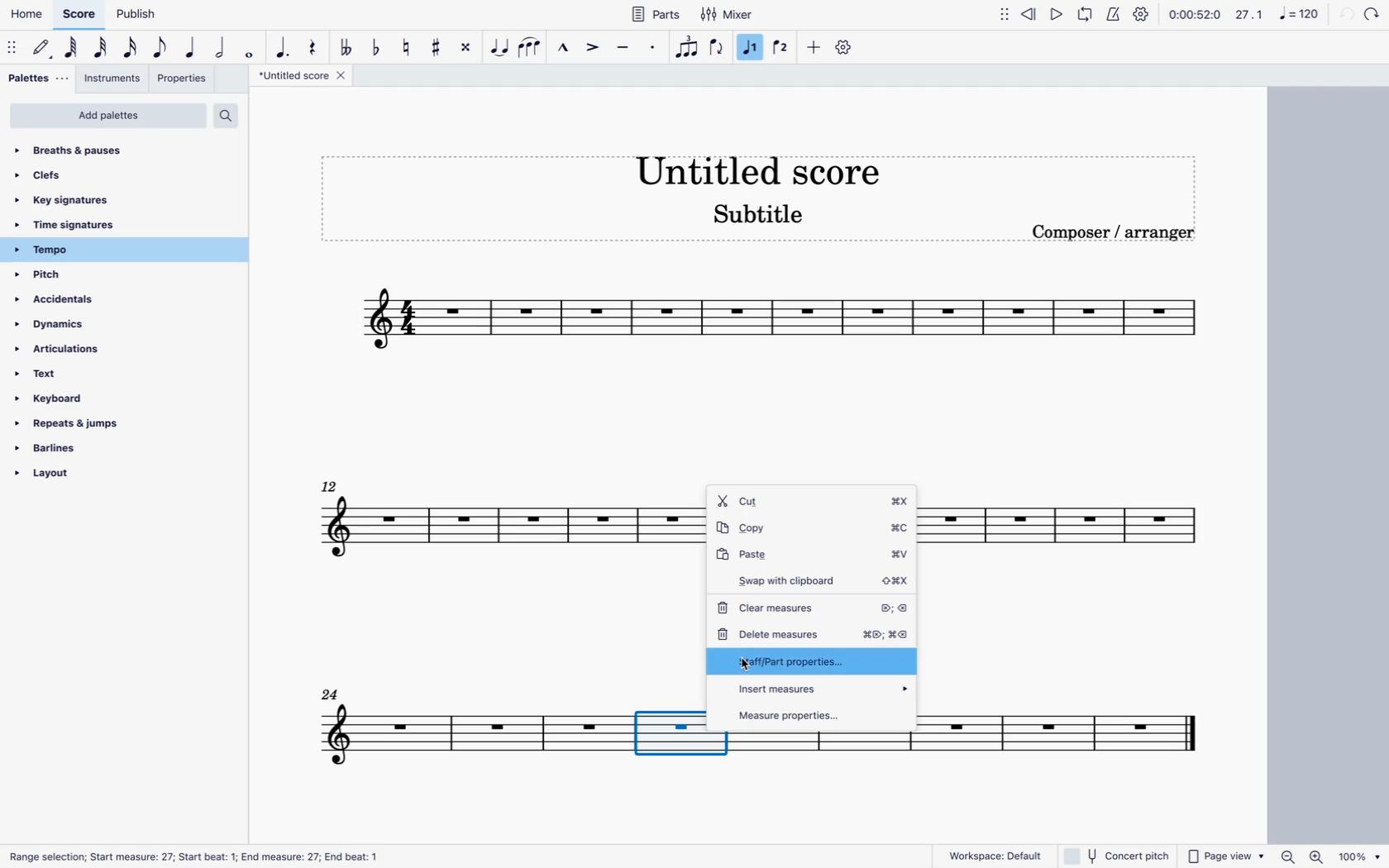  What do you see at coordinates (65, 202) in the screenshot?
I see `key signatures` at bounding box center [65, 202].